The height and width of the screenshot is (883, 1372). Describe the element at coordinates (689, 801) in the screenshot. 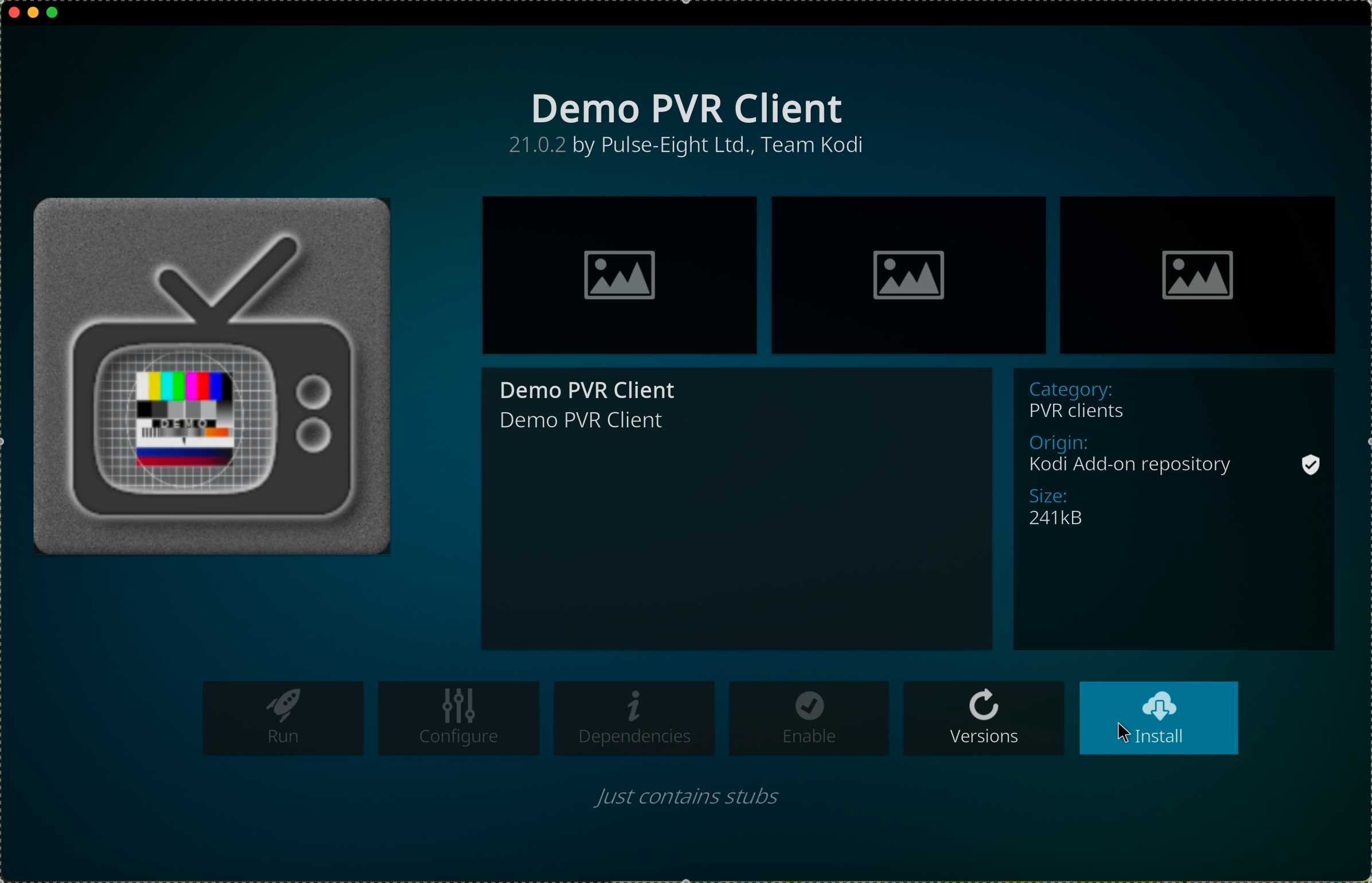

I see `just contains stubs` at that location.